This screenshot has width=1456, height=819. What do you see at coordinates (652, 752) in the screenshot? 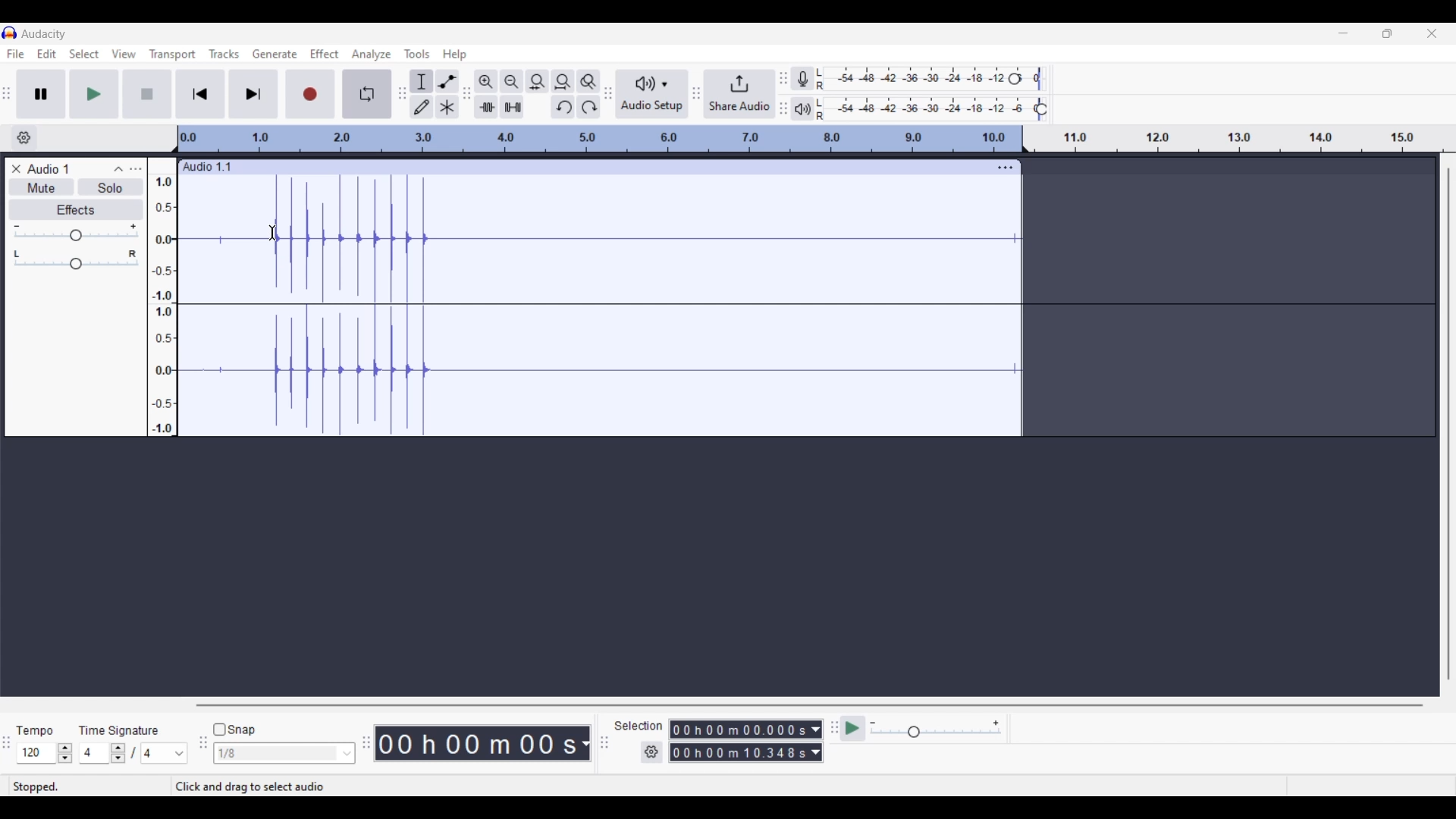
I see `Selection settings` at bounding box center [652, 752].